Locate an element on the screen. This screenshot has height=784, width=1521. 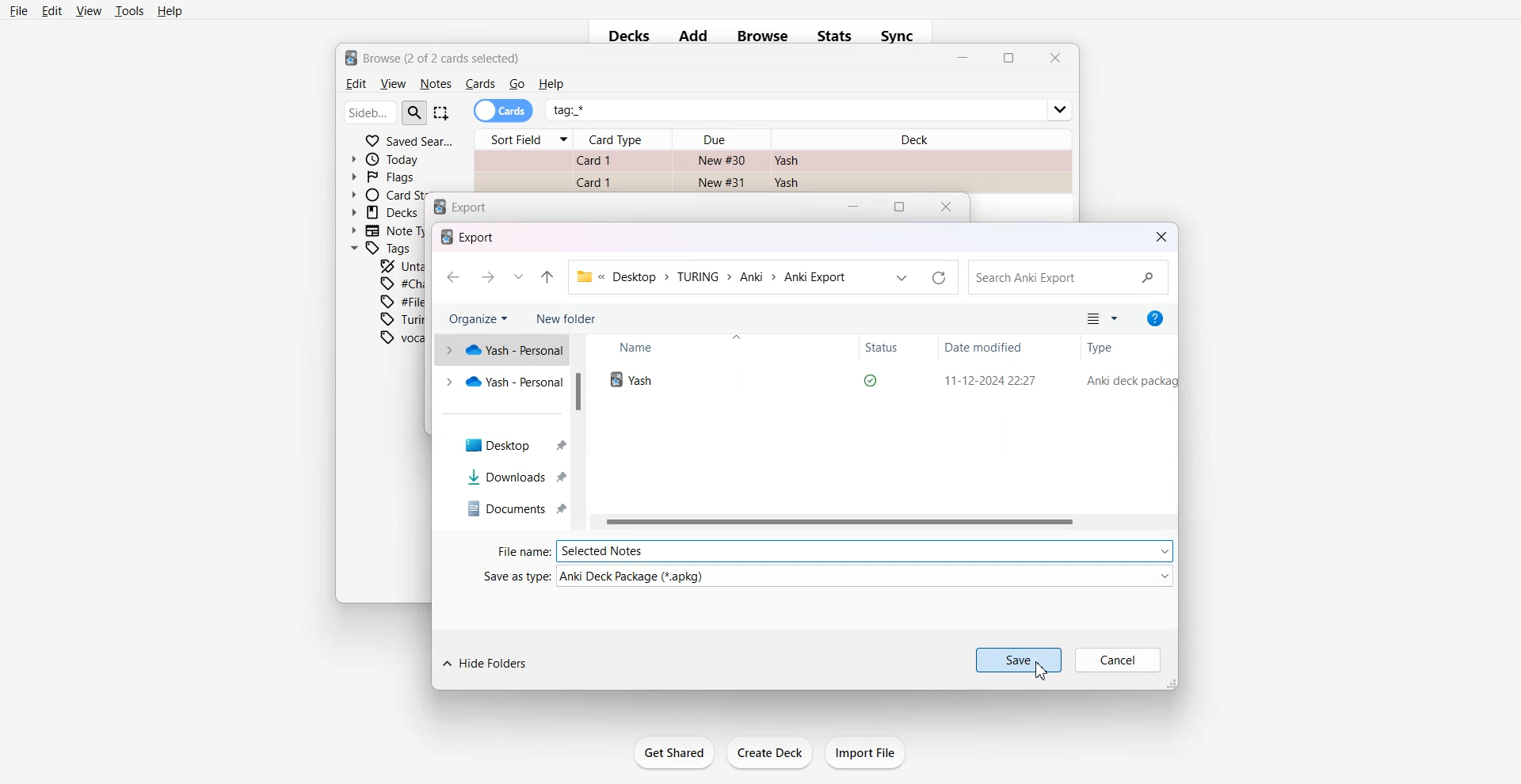
Edit is located at coordinates (354, 84).